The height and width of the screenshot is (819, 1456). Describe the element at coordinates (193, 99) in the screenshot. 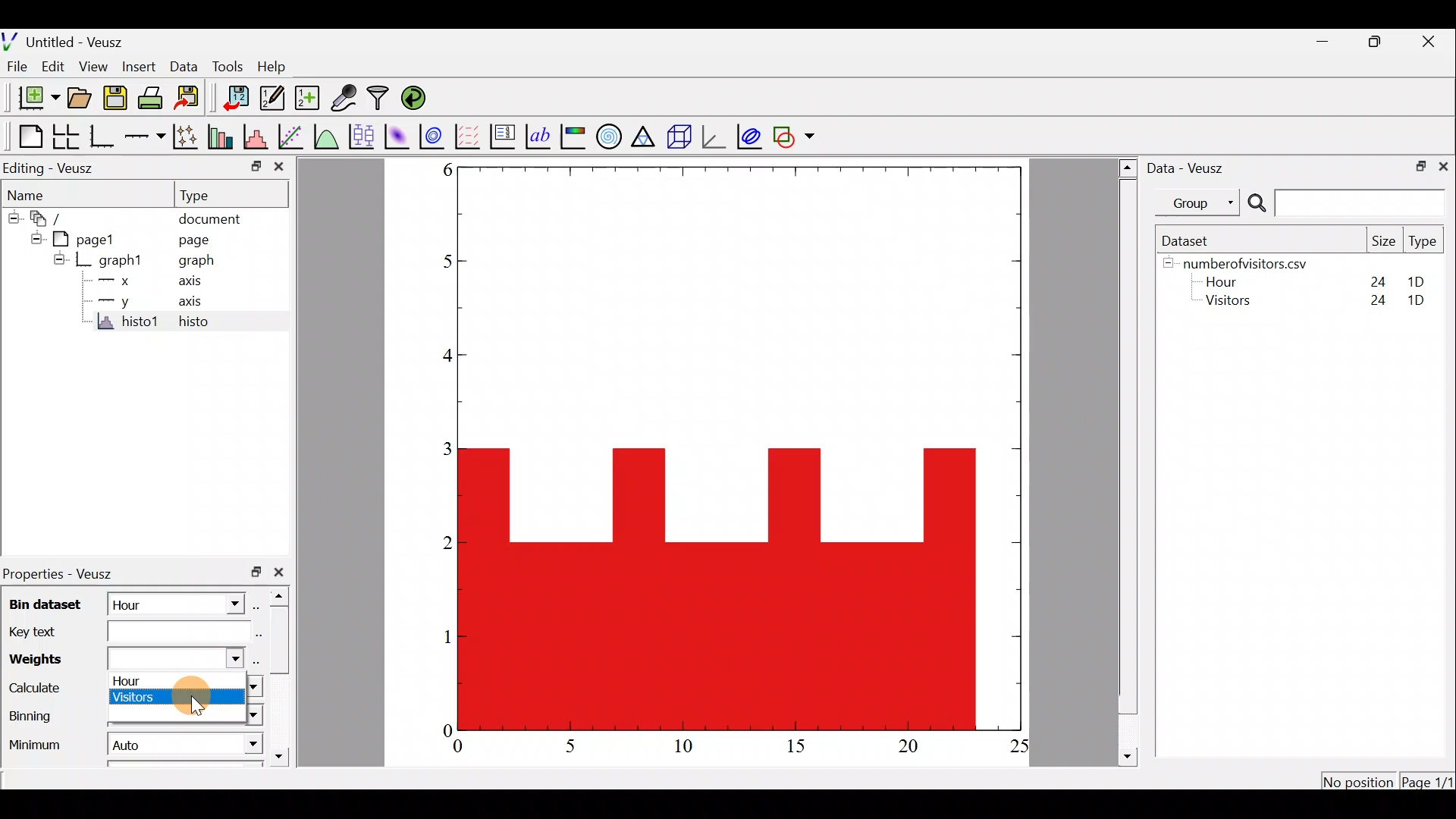

I see `Export to graphics format` at that location.